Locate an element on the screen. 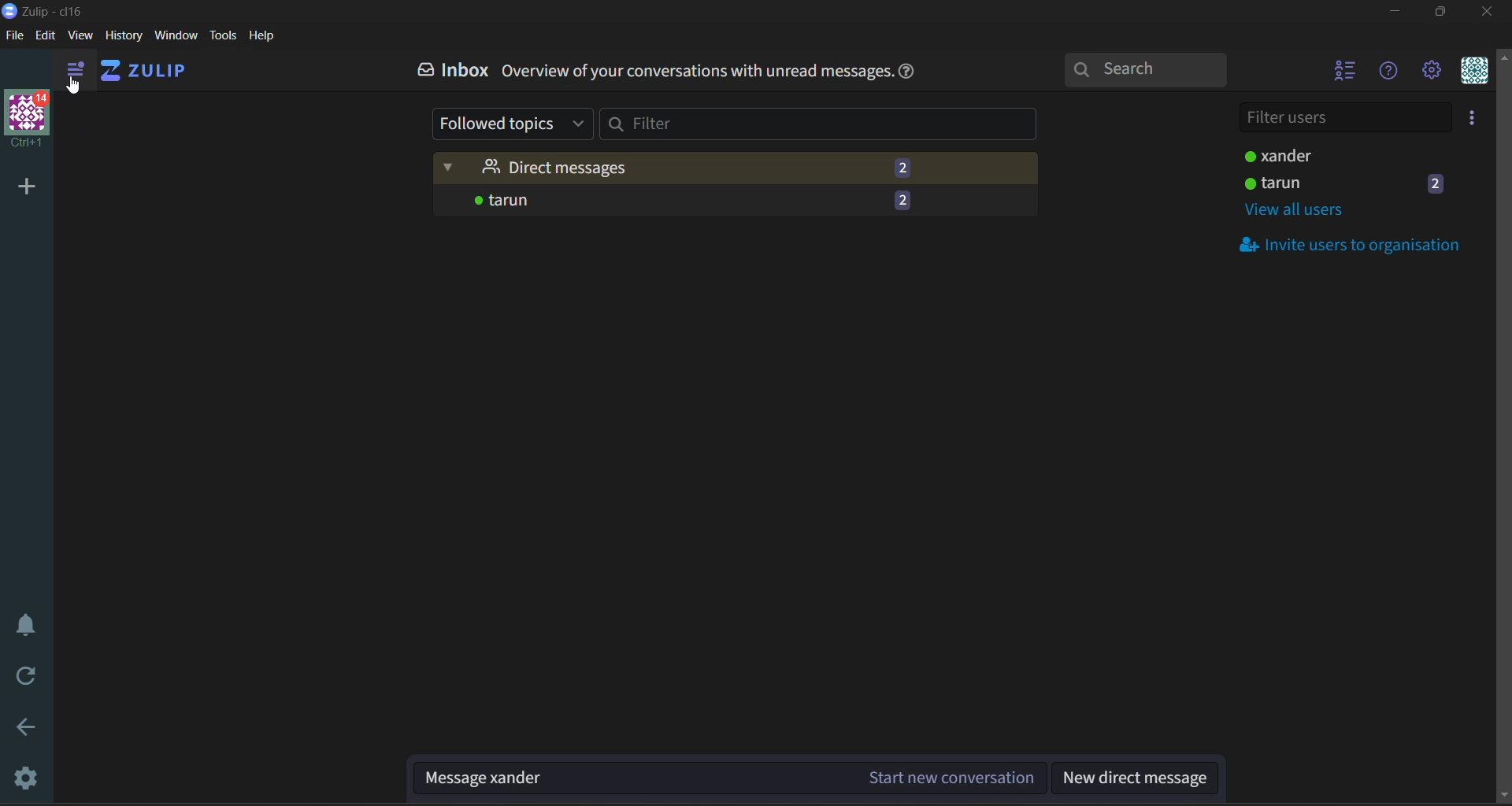  filter users is located at coordinates (1343, 120).